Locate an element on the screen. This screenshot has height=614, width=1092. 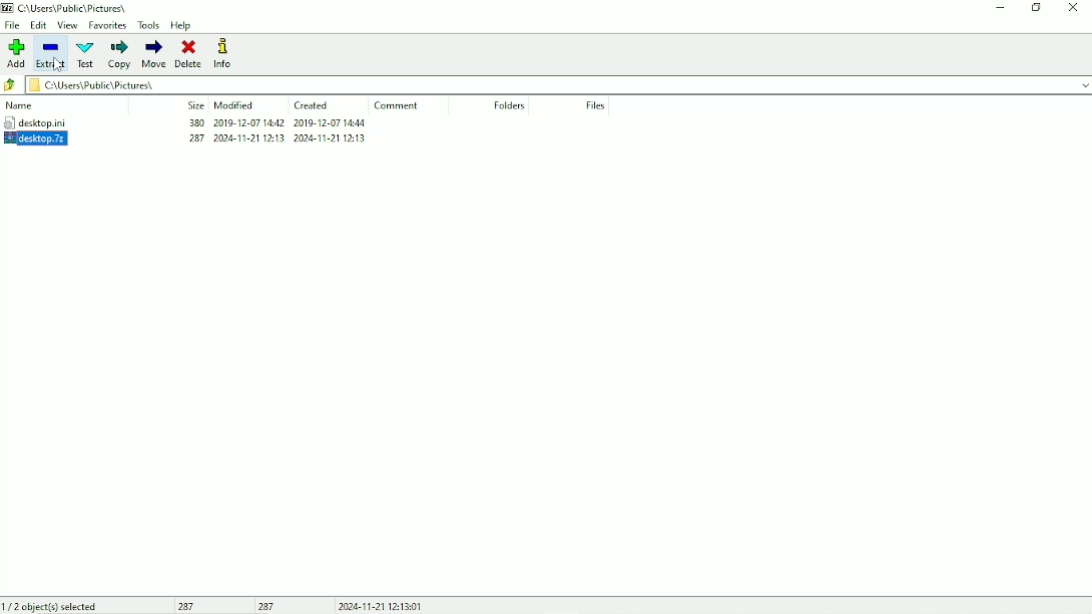
Restore down is located at coordinates (1035, 8).